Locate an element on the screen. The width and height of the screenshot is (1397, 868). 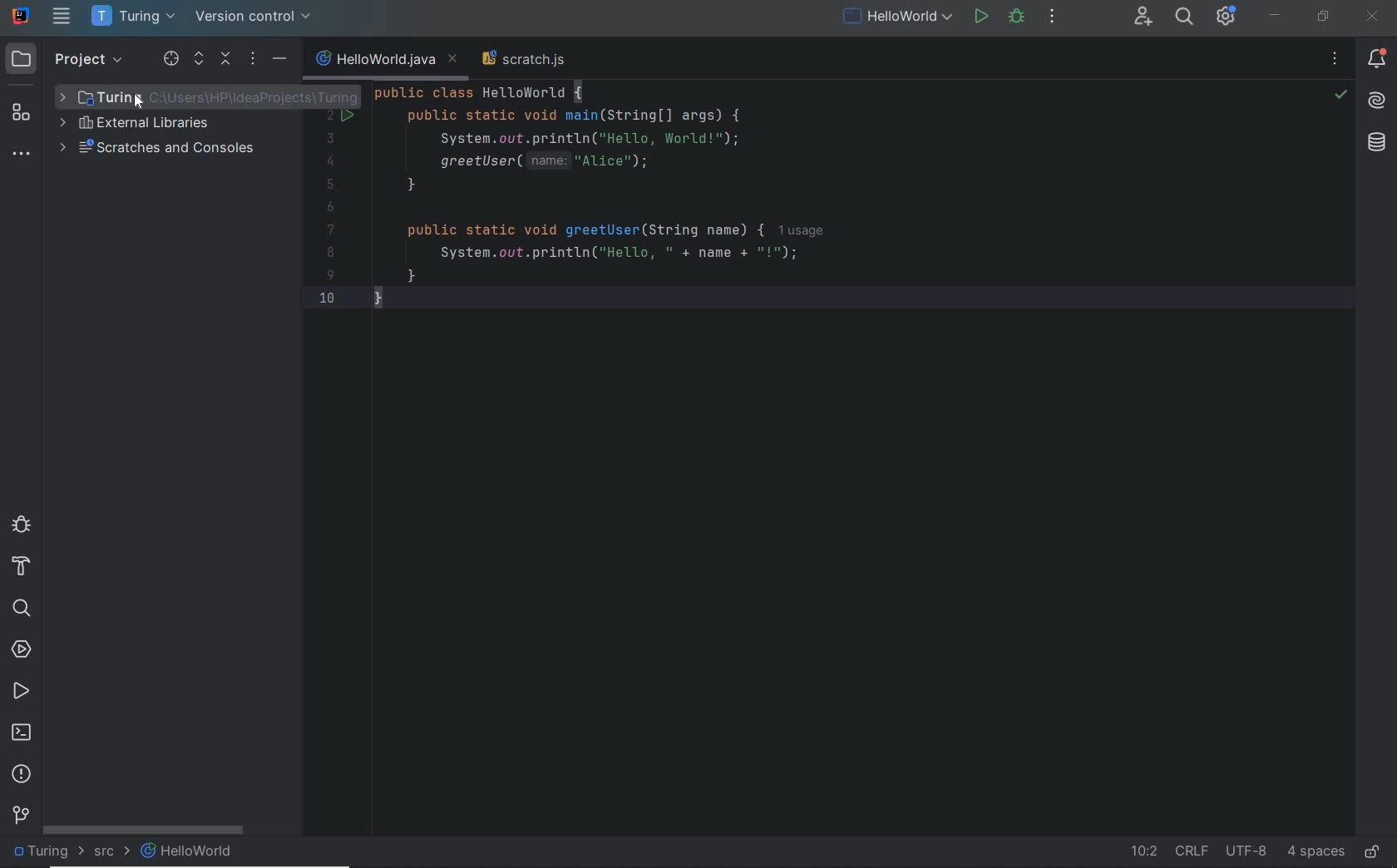
code with me is located at coordinates (1143, 22).